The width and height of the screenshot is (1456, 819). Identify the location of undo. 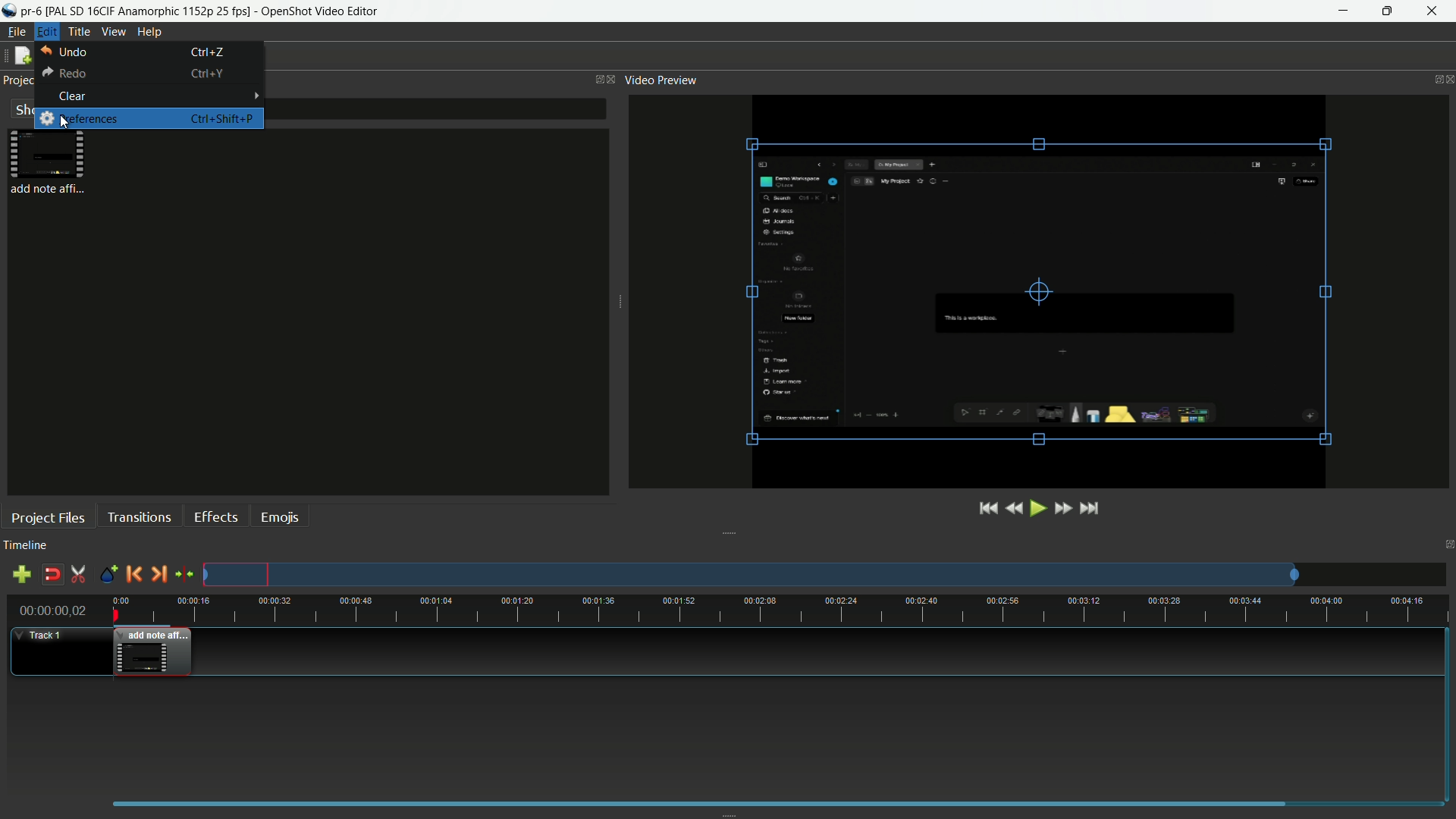
(65, 53).